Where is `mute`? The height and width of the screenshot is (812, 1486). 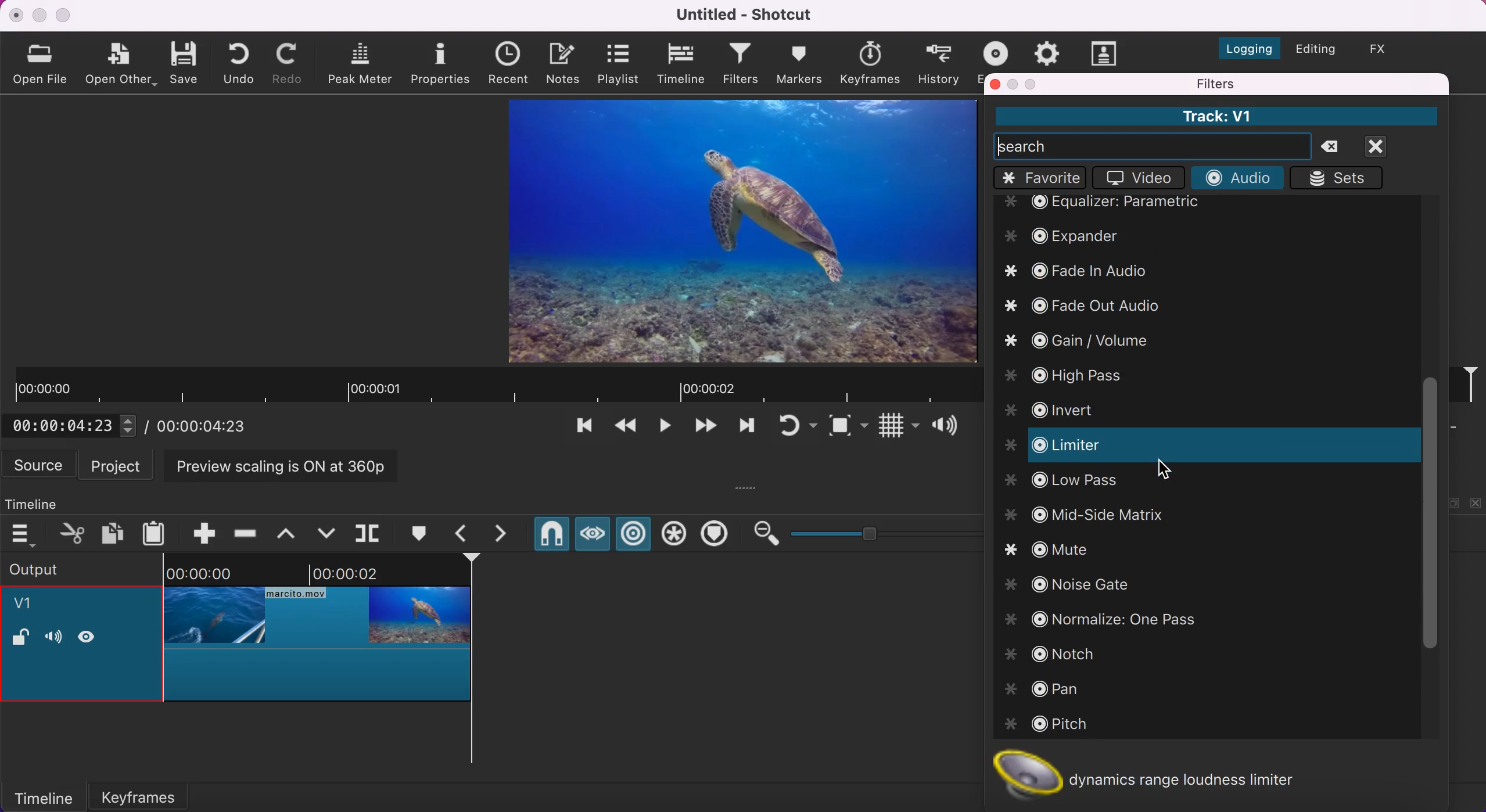
mute is located at coordinates (1060, 549).